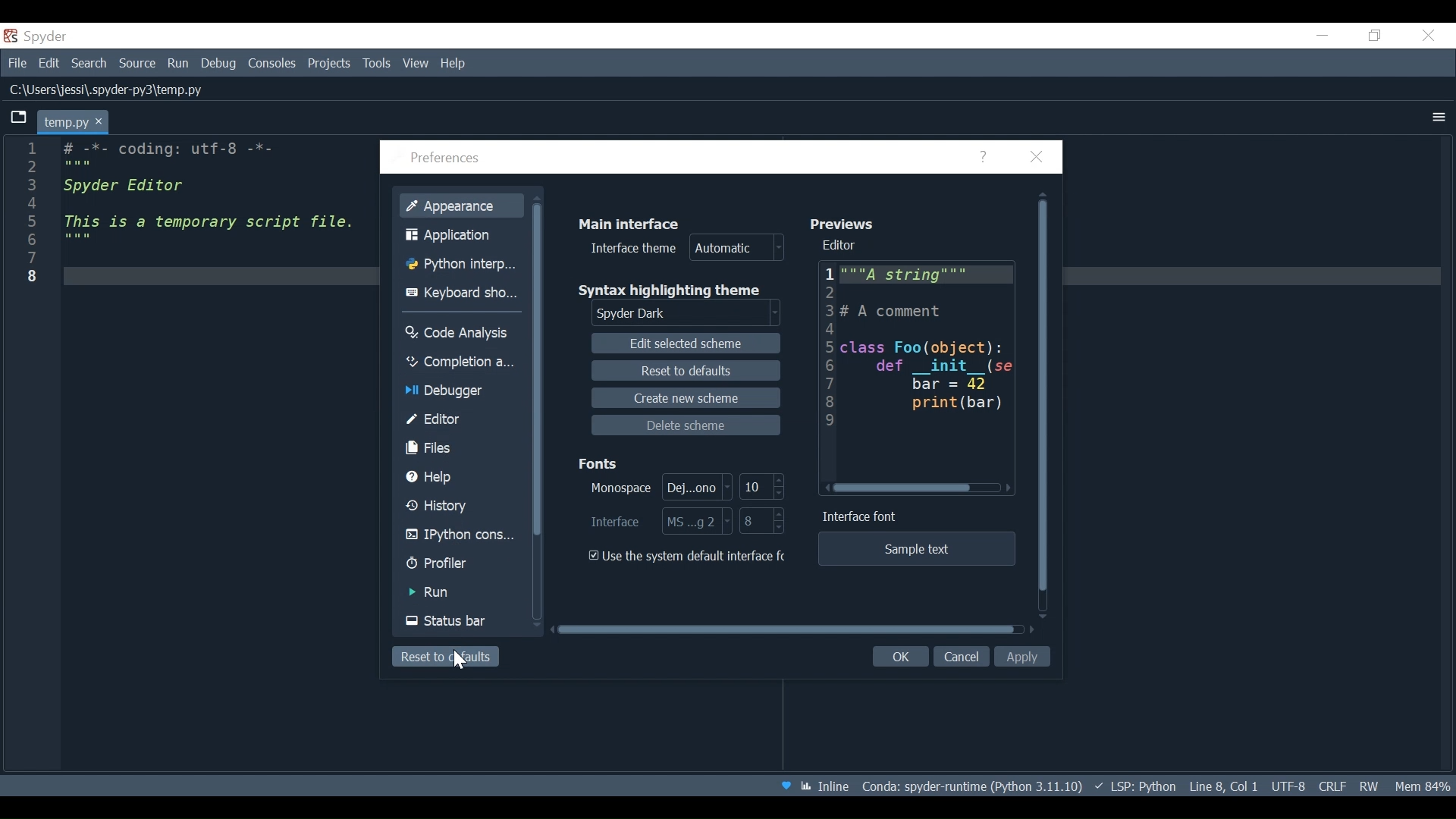 The height and width of the screenshot is (819, 1456). I want to click on Apply, so click(1025, 657).